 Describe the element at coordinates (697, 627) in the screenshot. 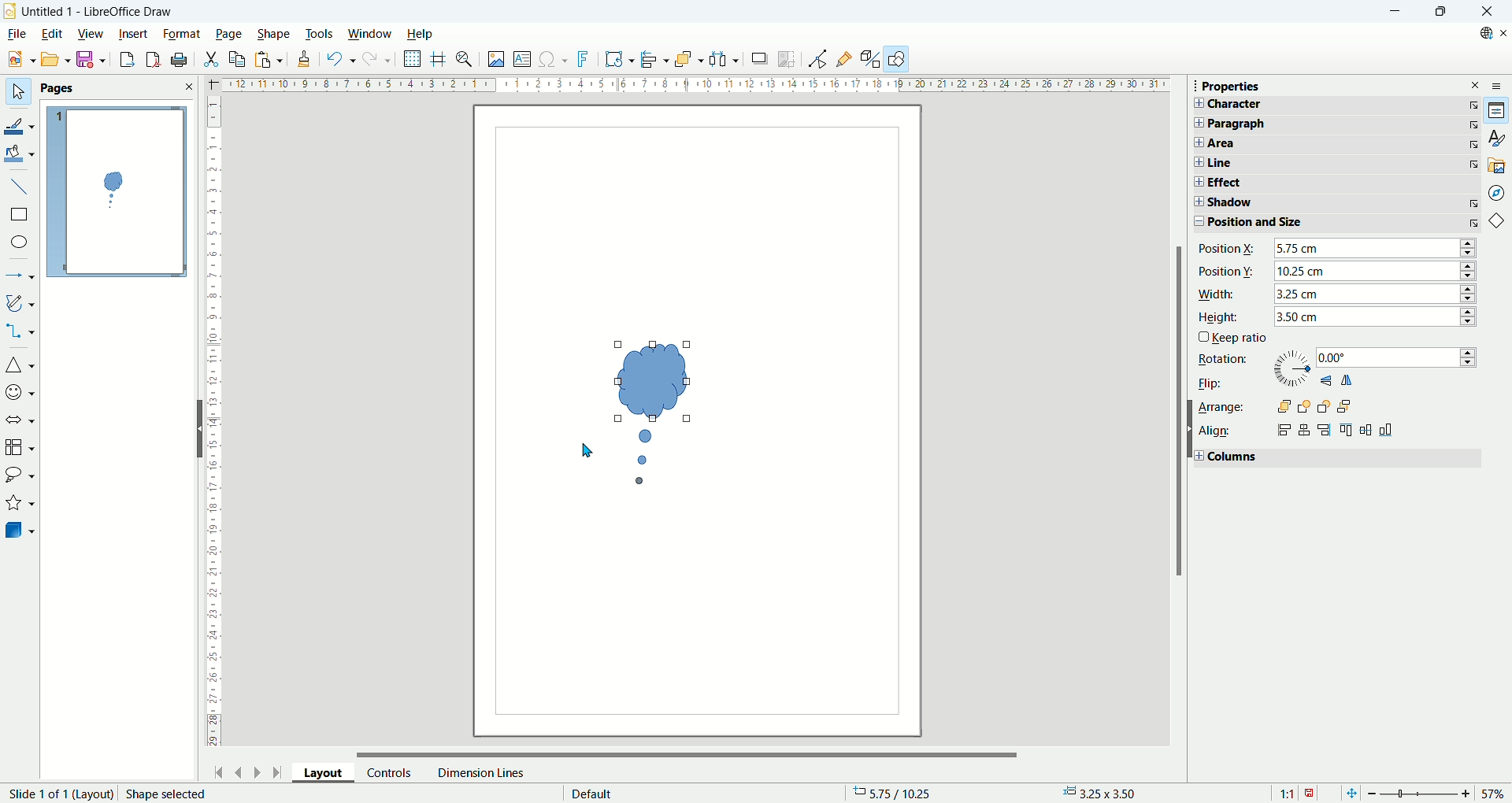

I see `Main Page` at that location.